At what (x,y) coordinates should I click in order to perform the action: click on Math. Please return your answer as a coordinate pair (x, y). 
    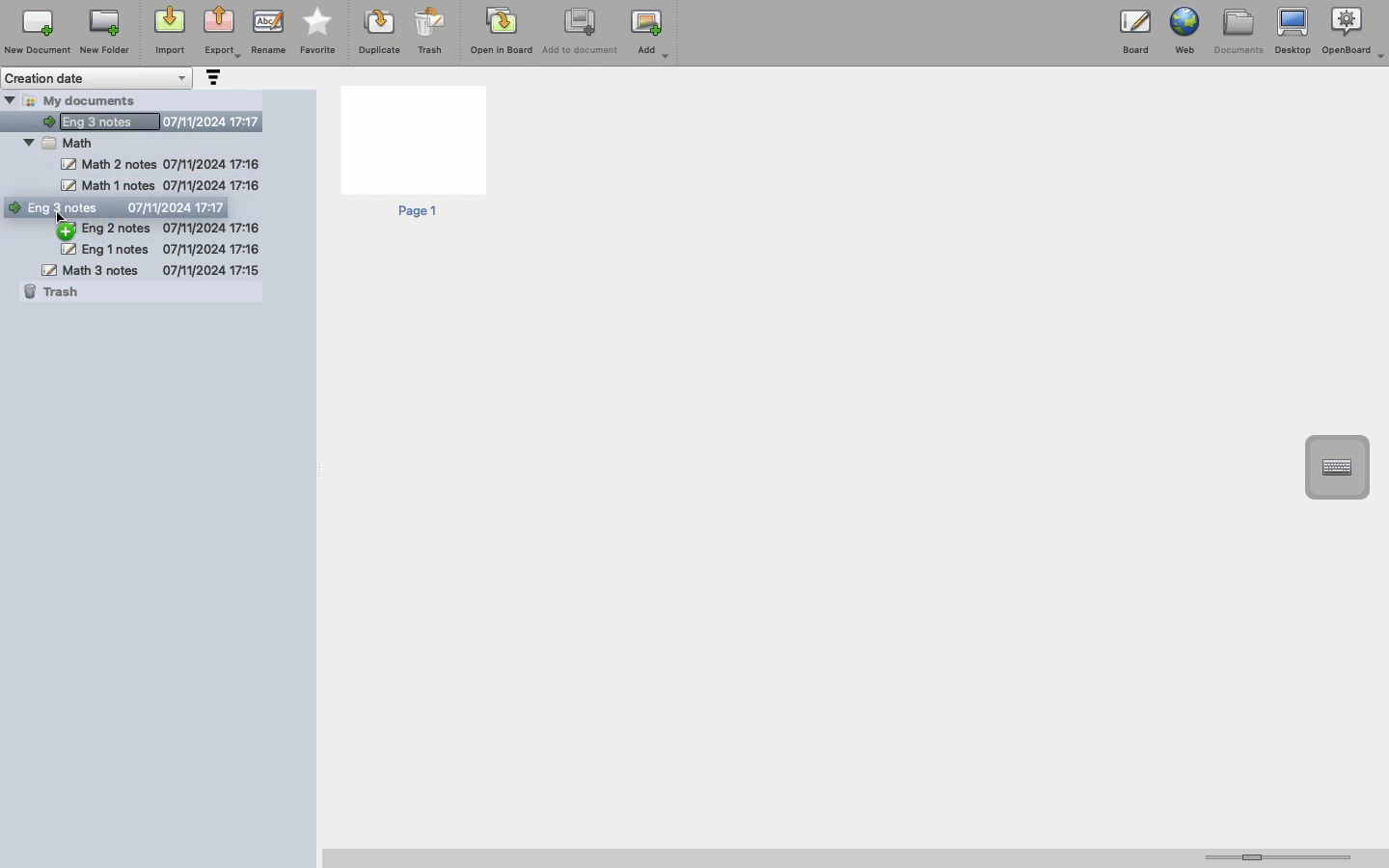
    Looking at the image, I should click on (70, 143).